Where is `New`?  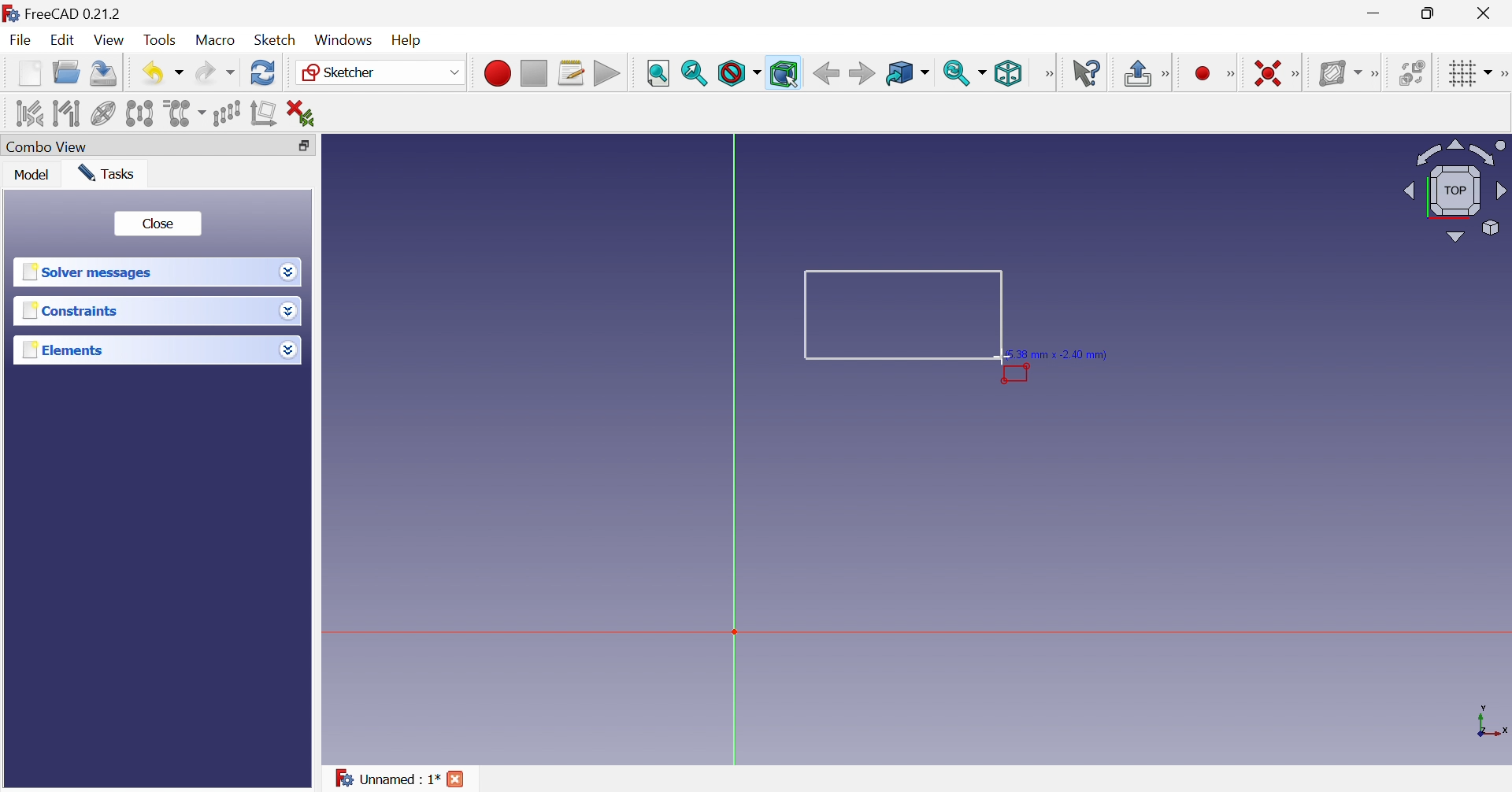 New is located at coordinates (29, 72).